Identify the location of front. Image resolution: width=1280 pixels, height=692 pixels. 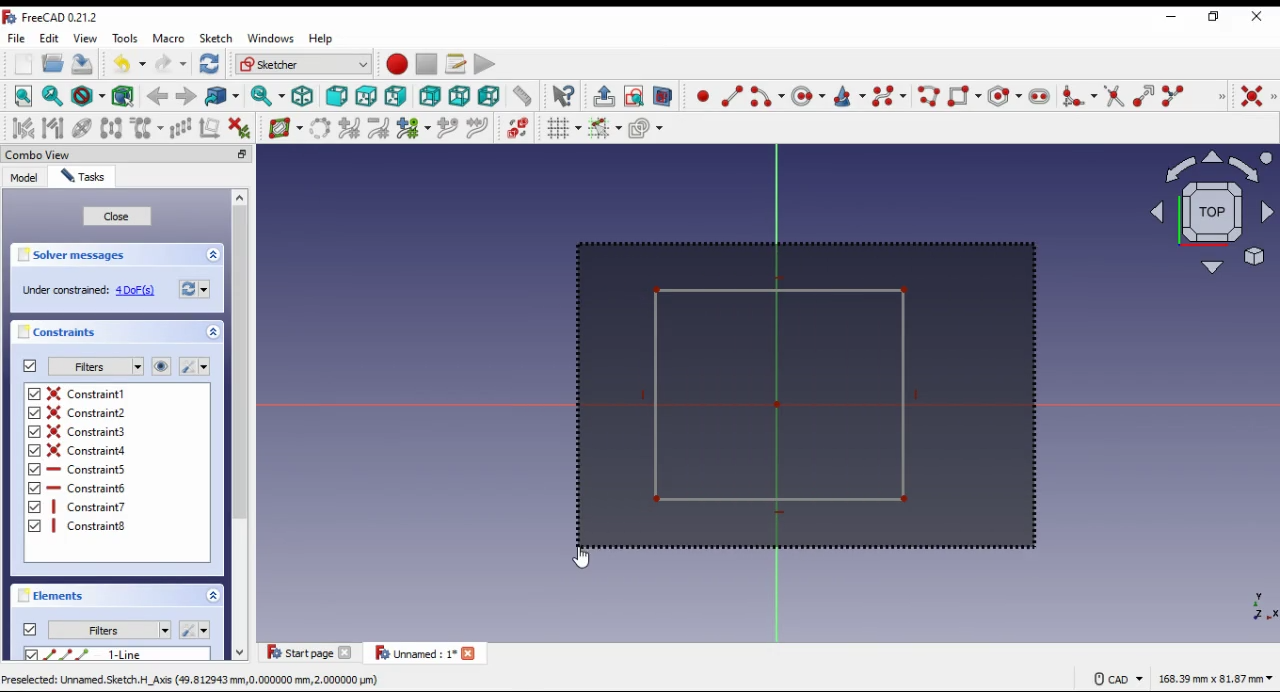
(336, 96).